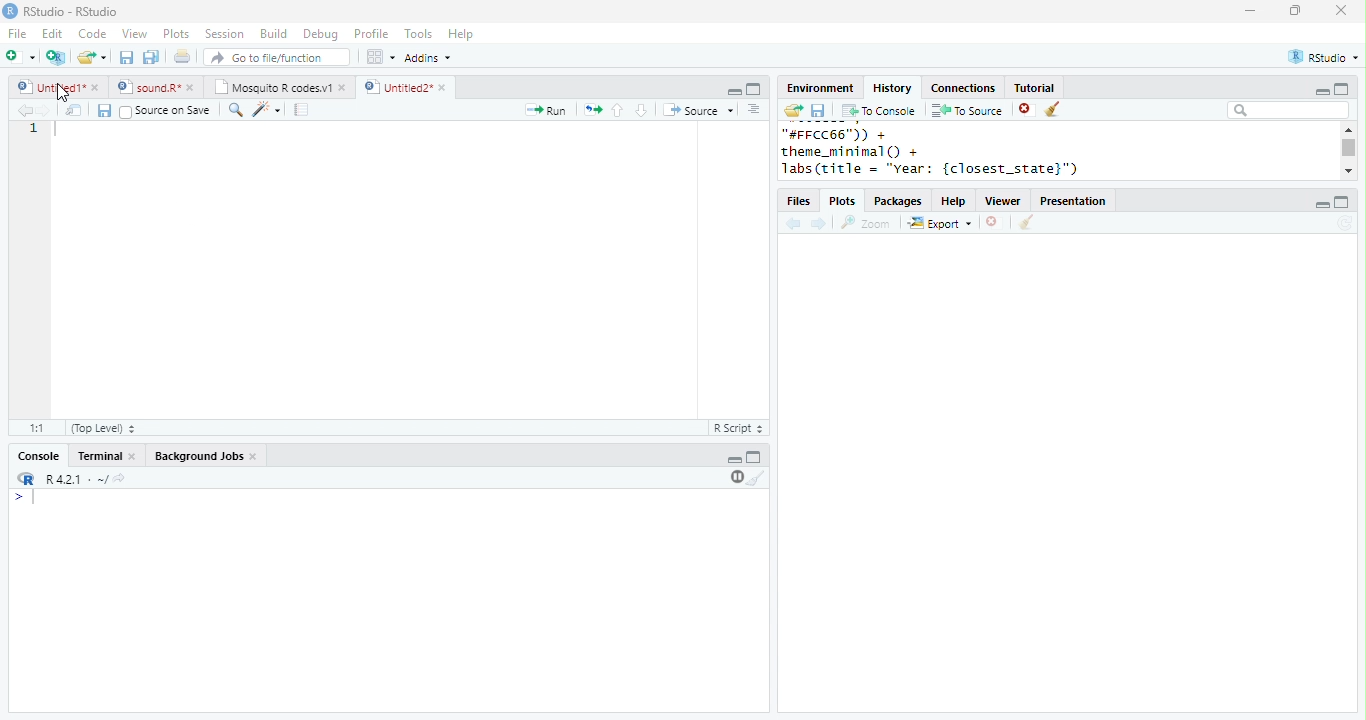 This screenshot has height=720, width=1366. Describe the element at coordinates (1342, 202) in the screenshot. I see `maximize` at that location.